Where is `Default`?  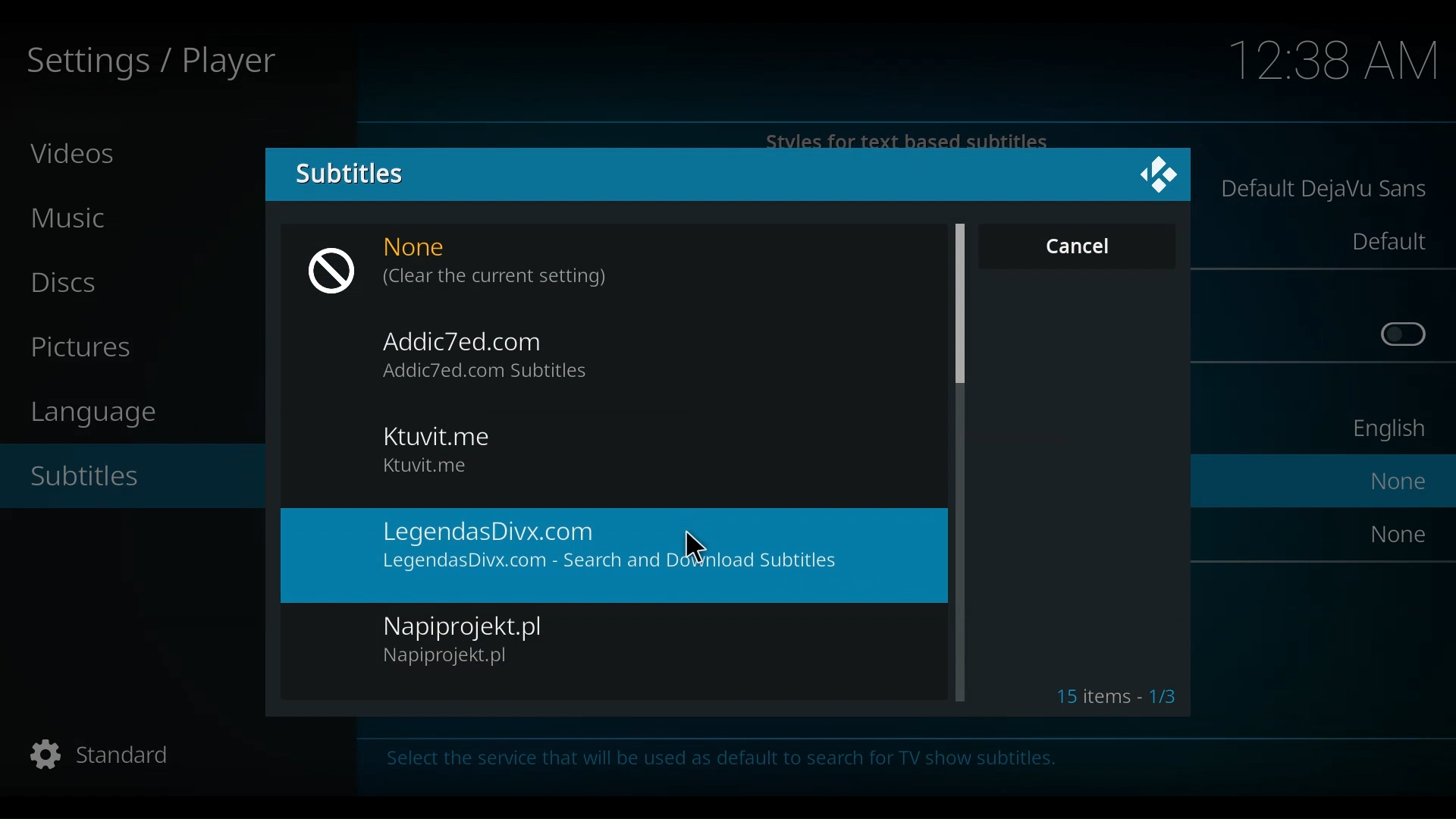 Default is located at coordinates (1387, 241).